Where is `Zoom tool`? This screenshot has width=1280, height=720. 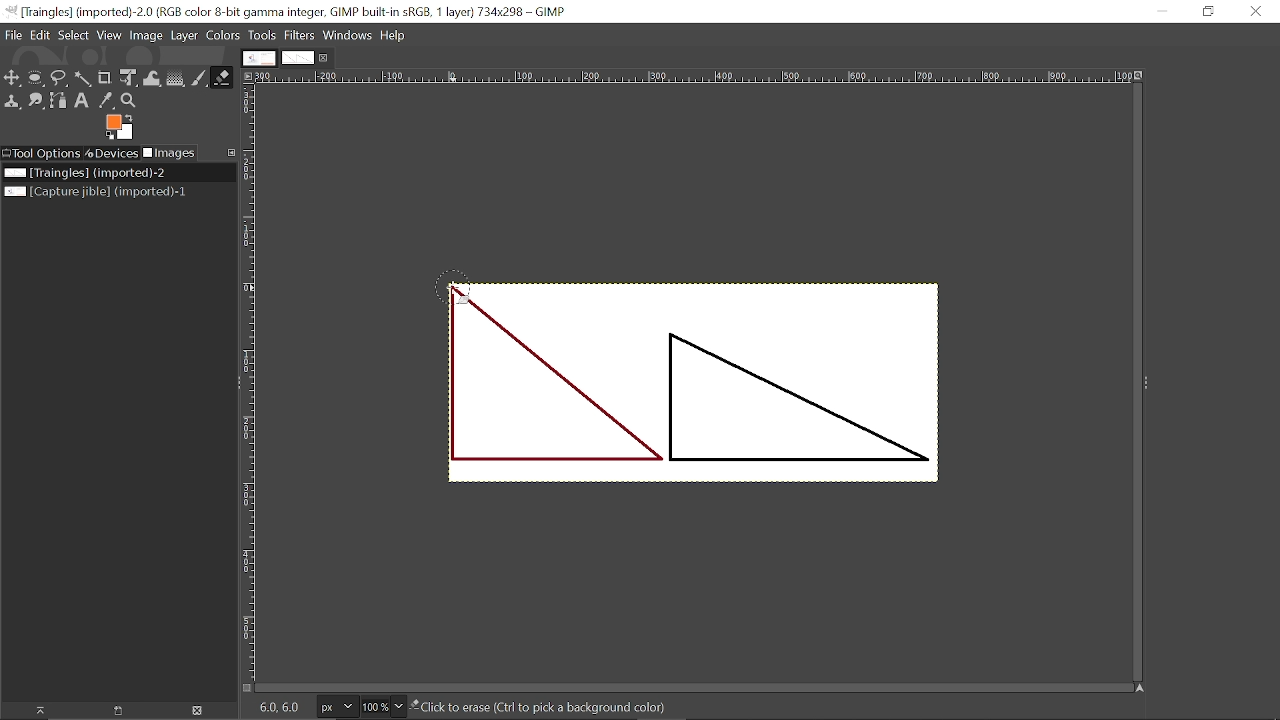 Zoom tool is located at coordinates (128, 101).